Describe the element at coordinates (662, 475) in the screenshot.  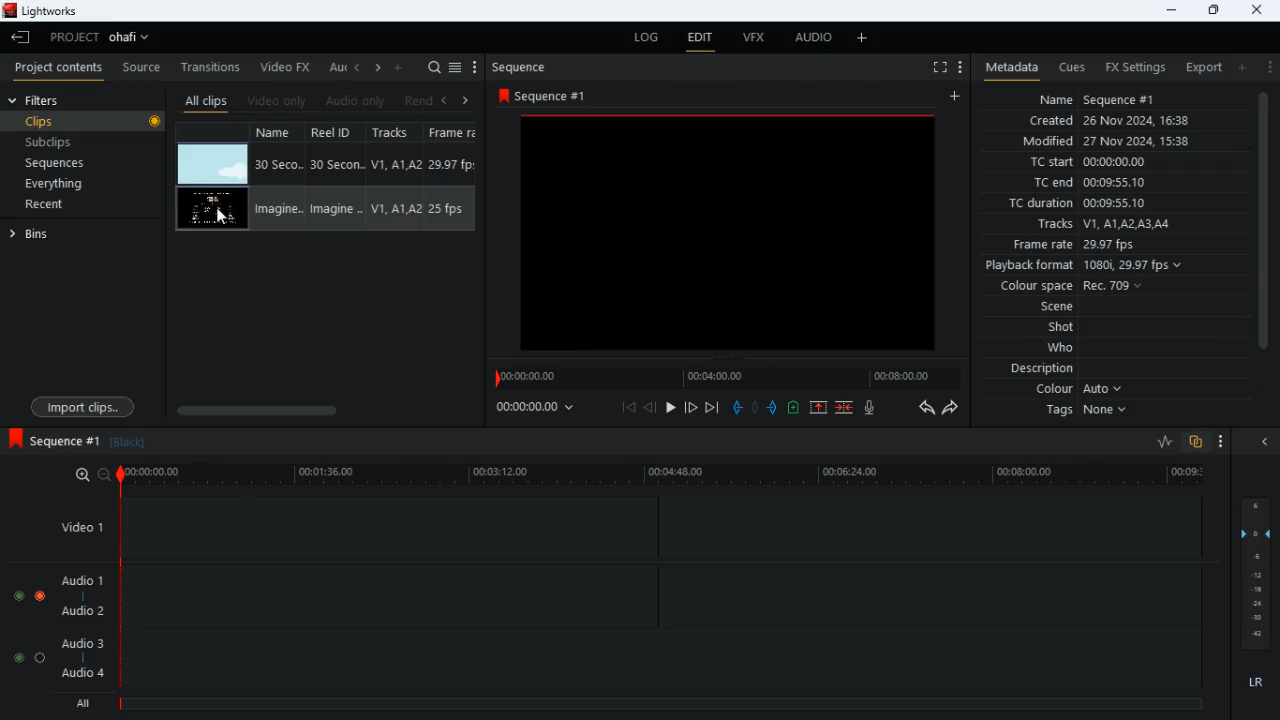
I see `time` at that location.